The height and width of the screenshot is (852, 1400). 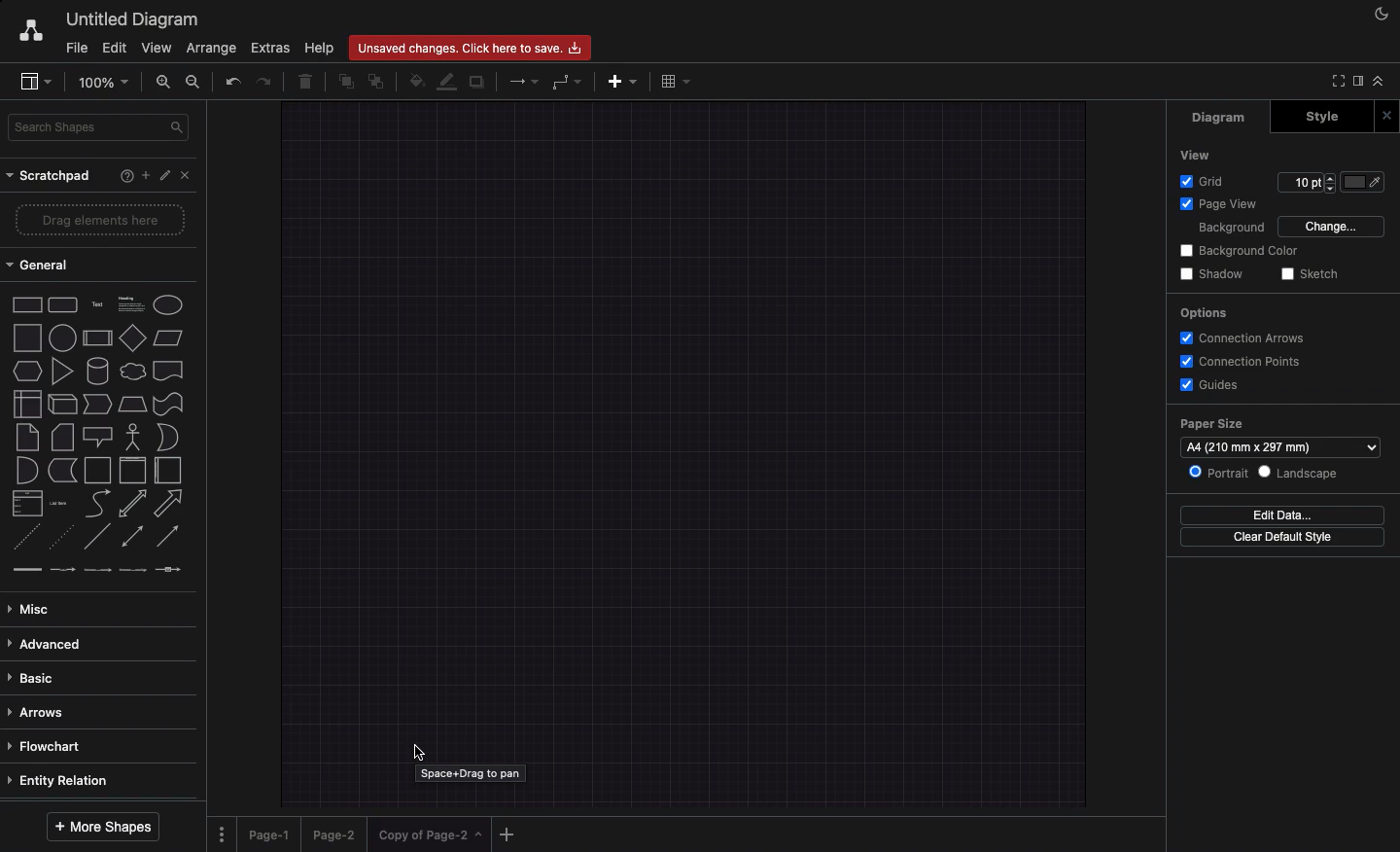 What do you see at coordinates (432, 837) in the screenshot?
I see `copy of page 2` at bounding box center [432, 837].